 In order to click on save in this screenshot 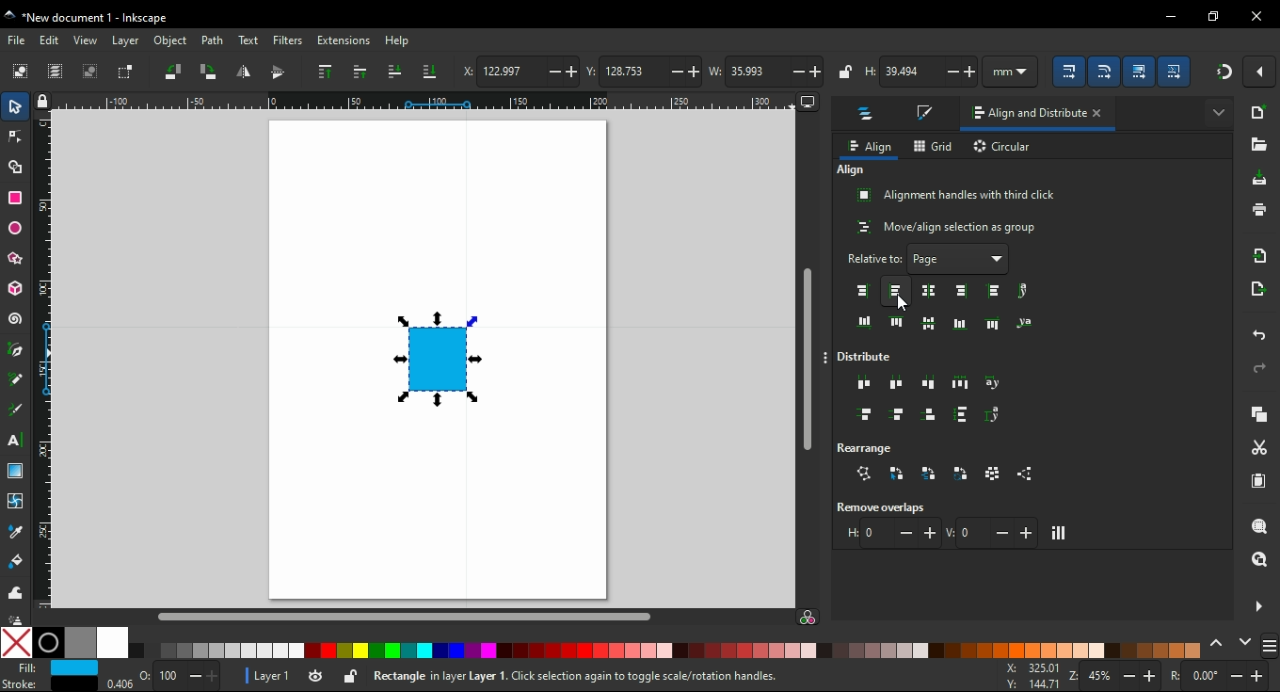, I will do `click(1260, 180)`.